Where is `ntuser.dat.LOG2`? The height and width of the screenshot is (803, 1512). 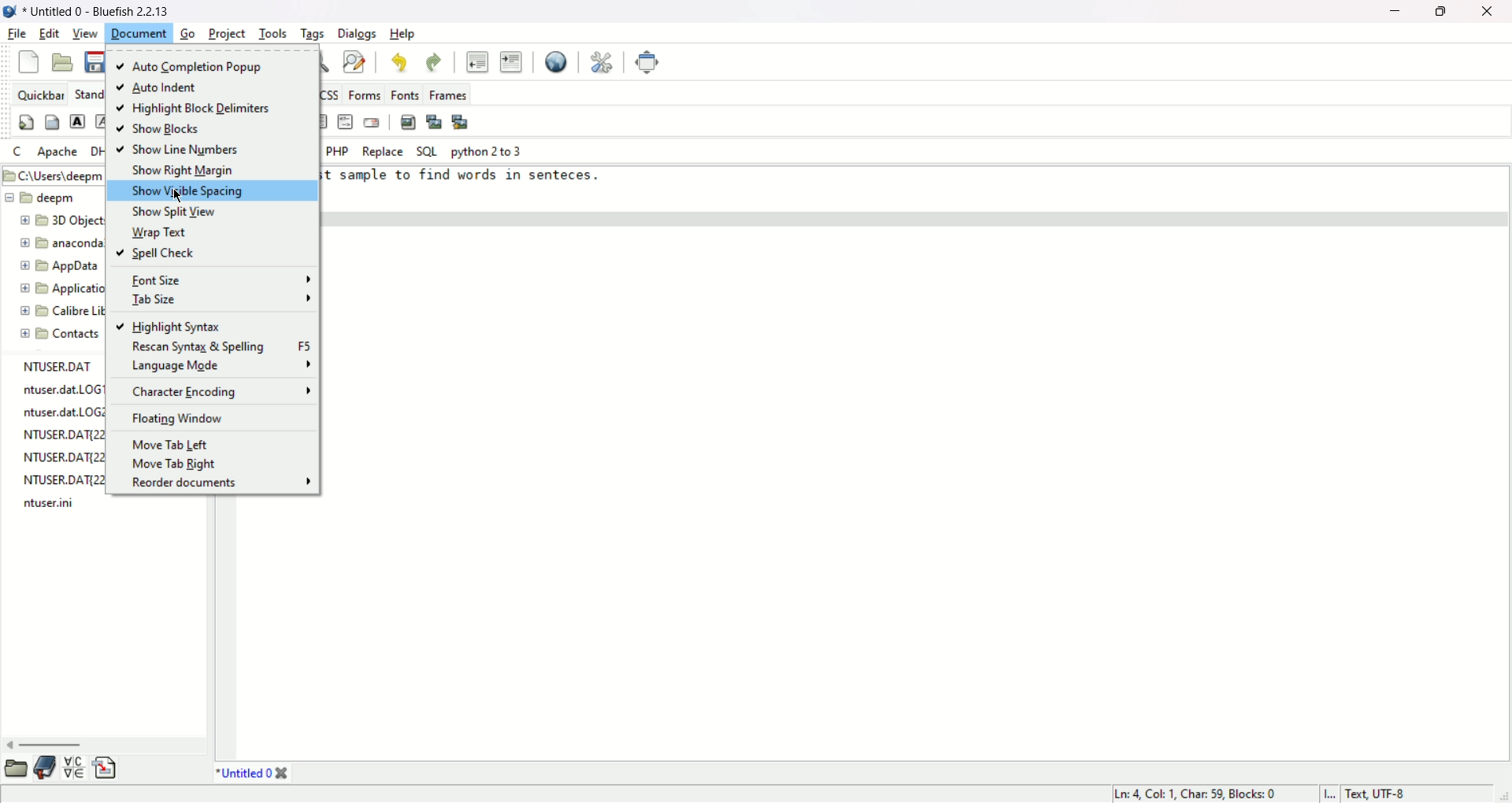 ntuser.dat.LOG2 is located at coordinates (63, 413).